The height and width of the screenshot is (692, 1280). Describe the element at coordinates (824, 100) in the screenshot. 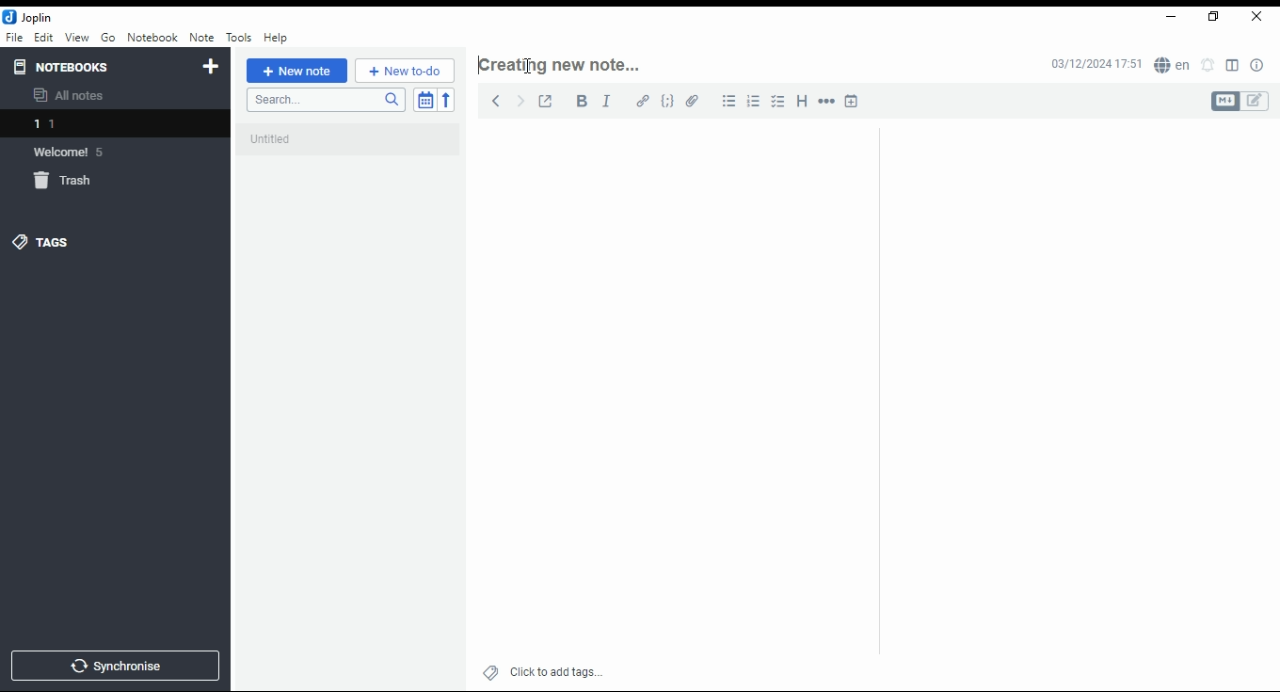

I see `horizontal rule` at that location.